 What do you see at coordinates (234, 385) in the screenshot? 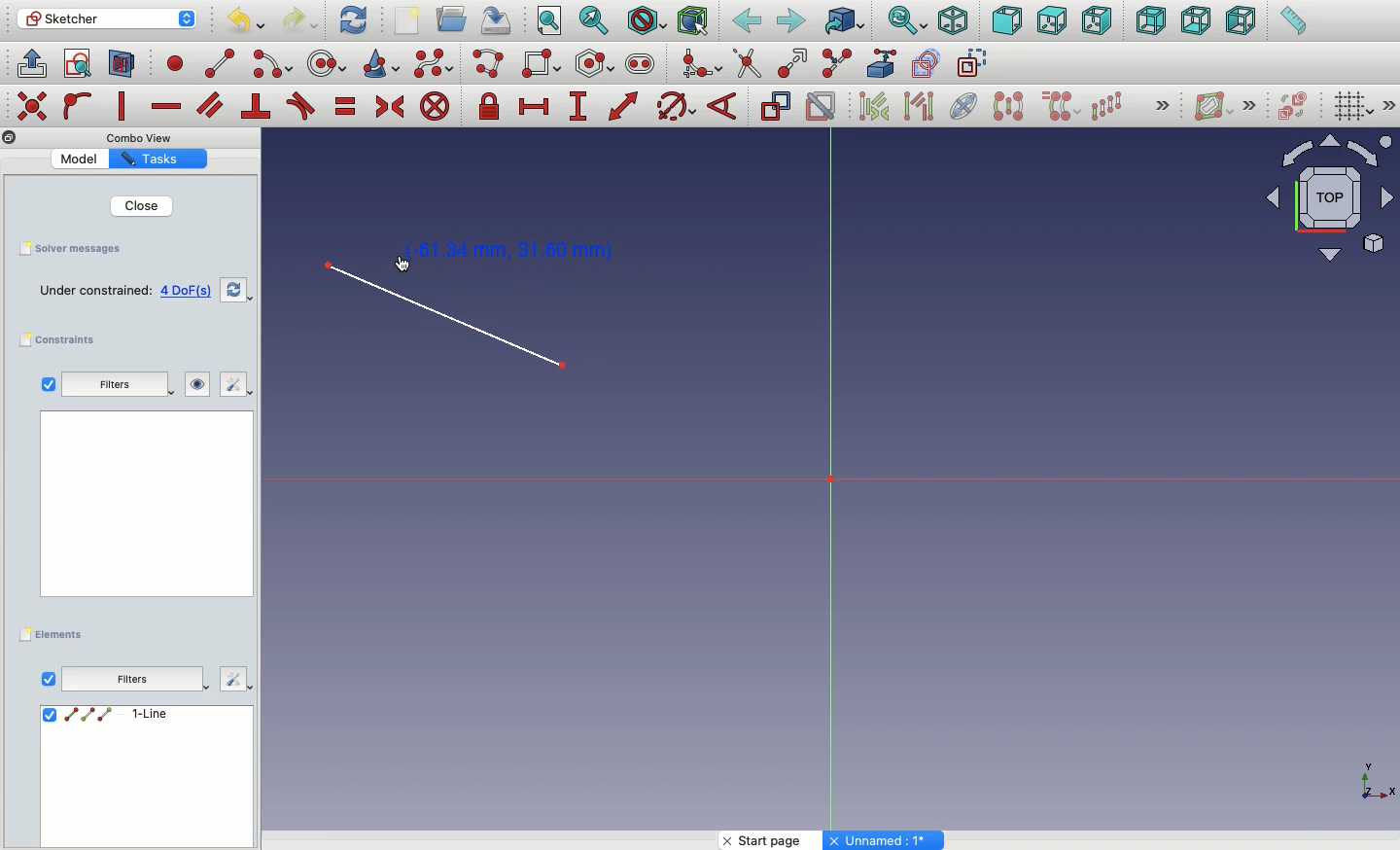
I see `Edit` at bounding box center [234, 385].